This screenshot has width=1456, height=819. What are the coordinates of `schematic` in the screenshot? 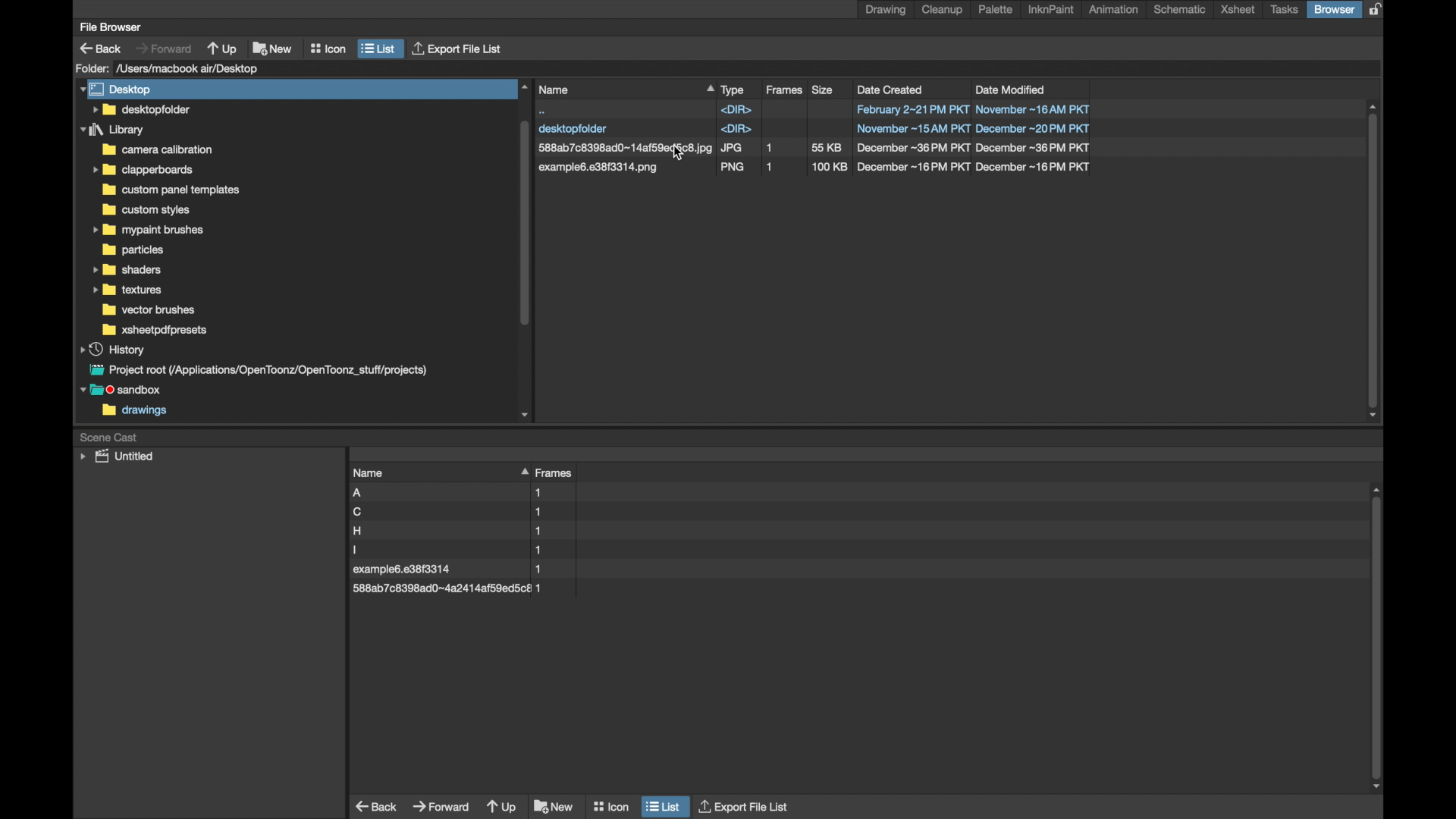 It's located at (1179, 9).